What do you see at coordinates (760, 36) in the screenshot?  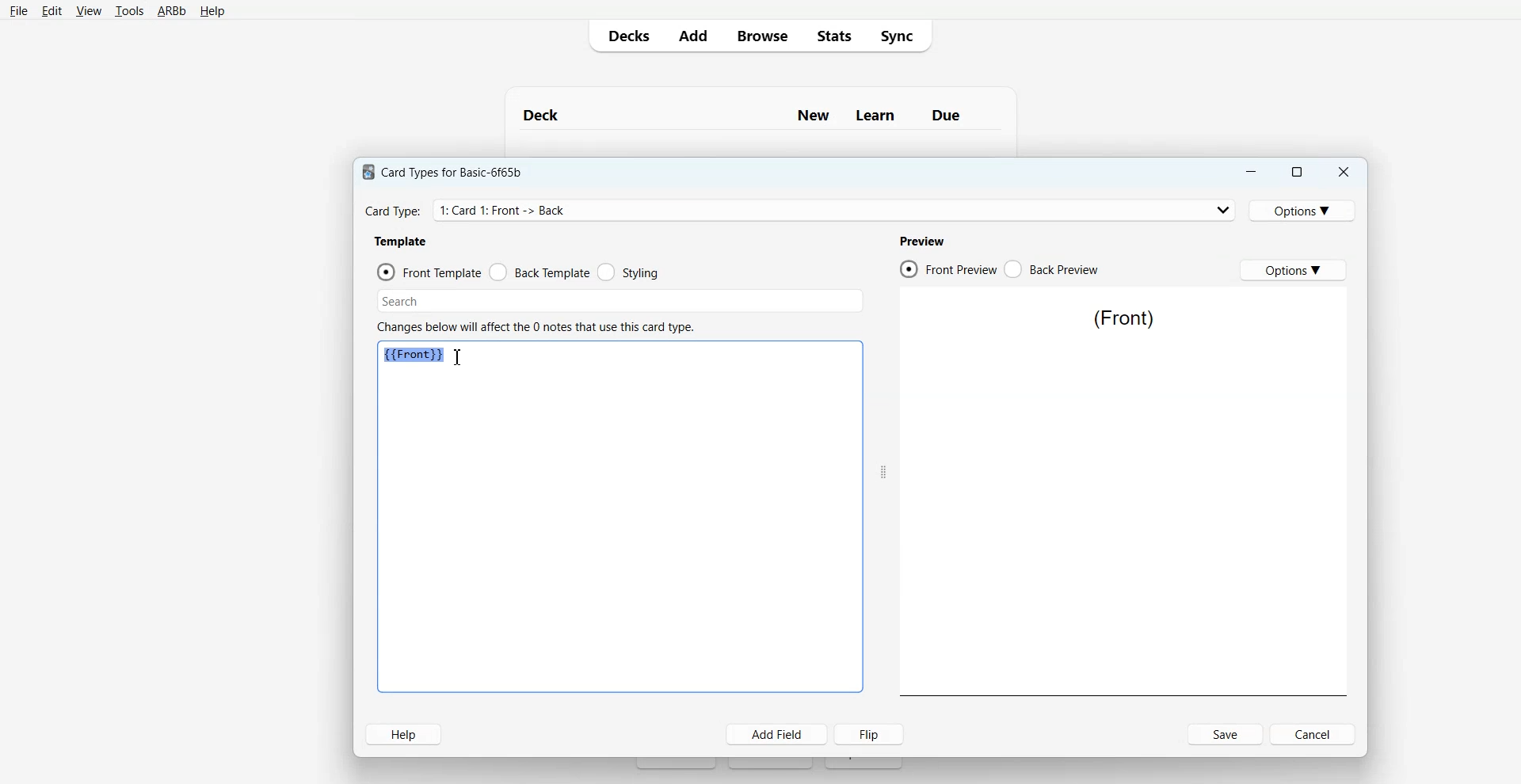 I see `Browse` at bounding box center [760, 36].